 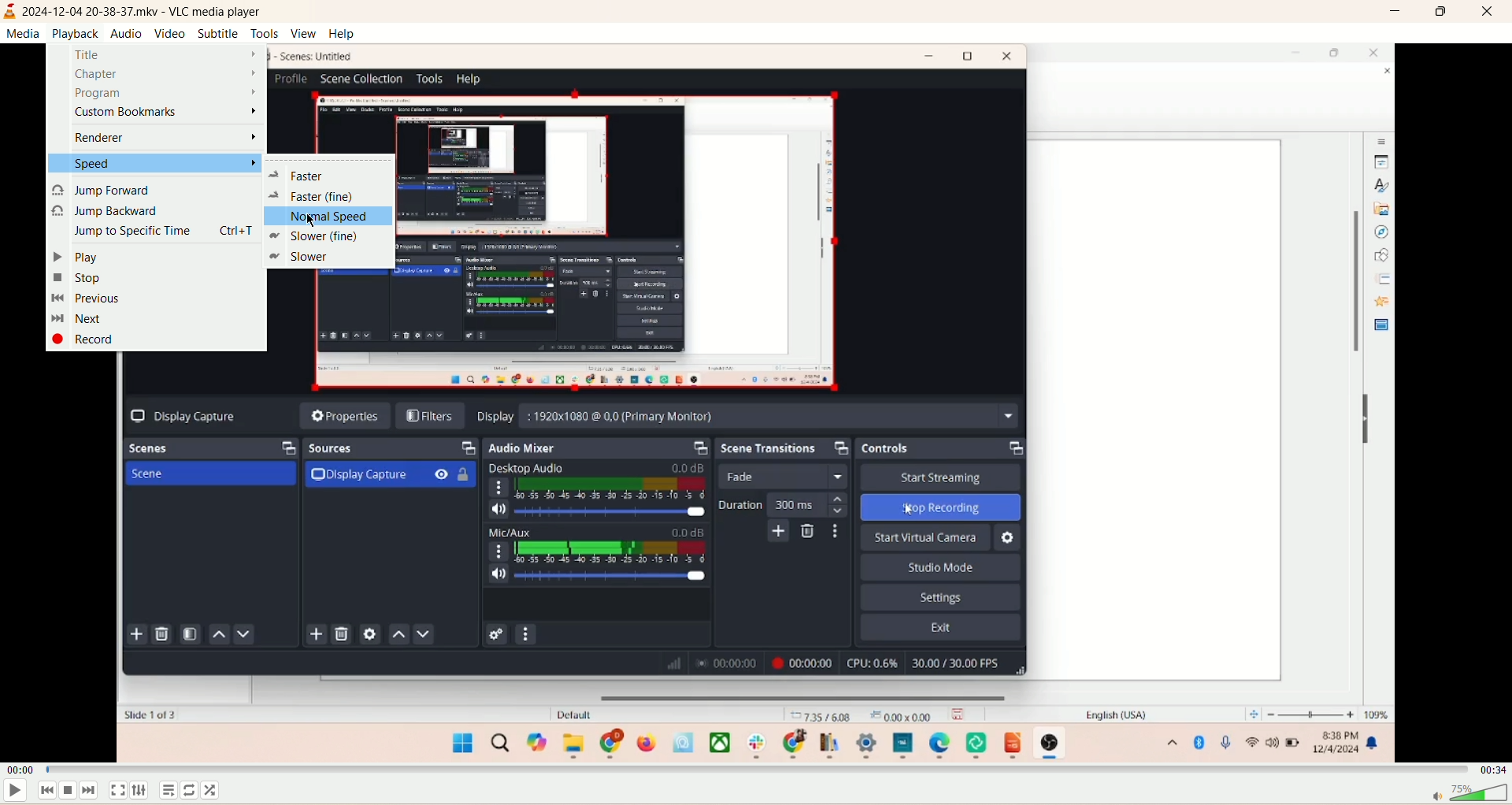 I want to click on title, so click(x=164, y=57).